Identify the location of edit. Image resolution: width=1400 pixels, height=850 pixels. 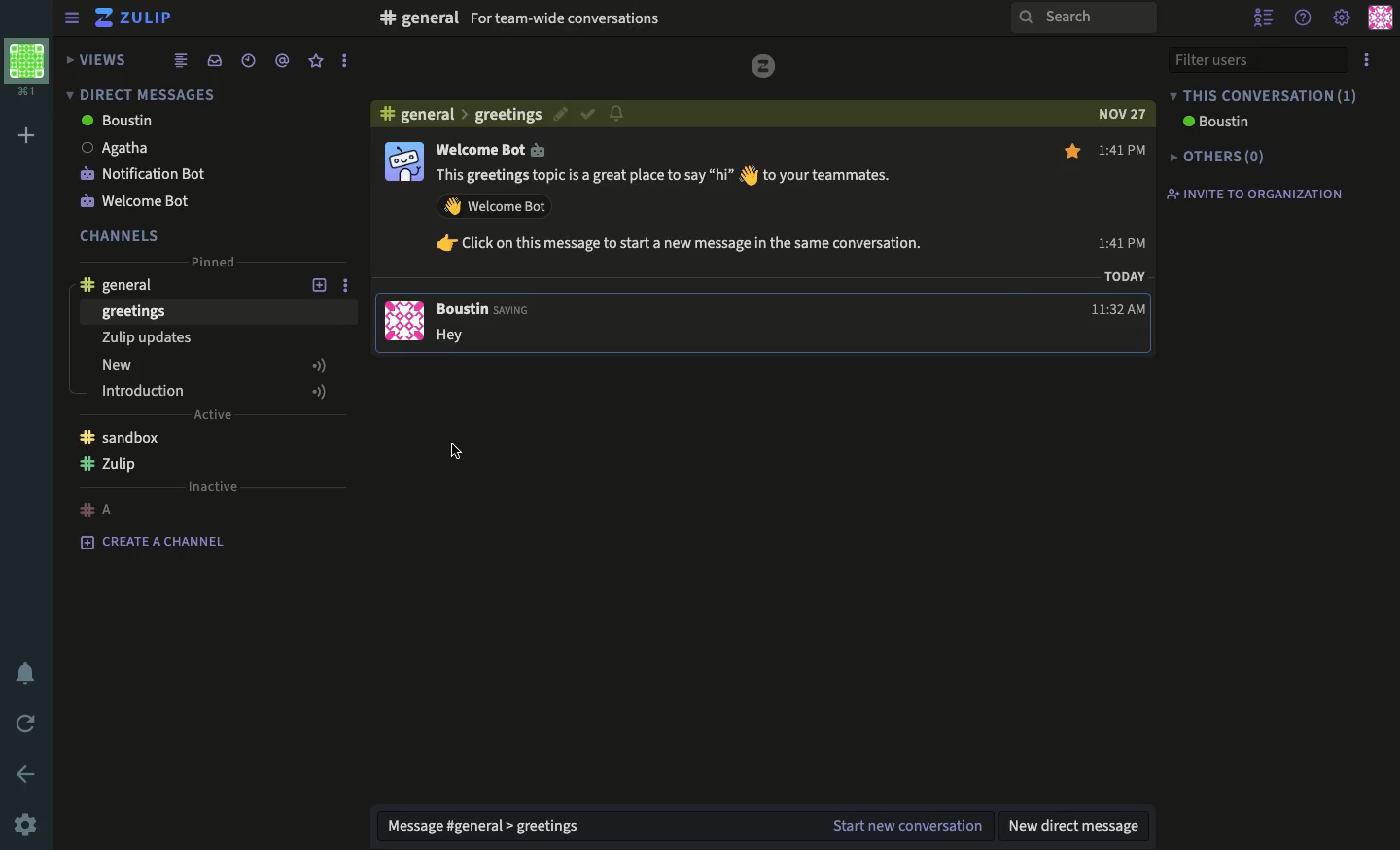
(557, 114).